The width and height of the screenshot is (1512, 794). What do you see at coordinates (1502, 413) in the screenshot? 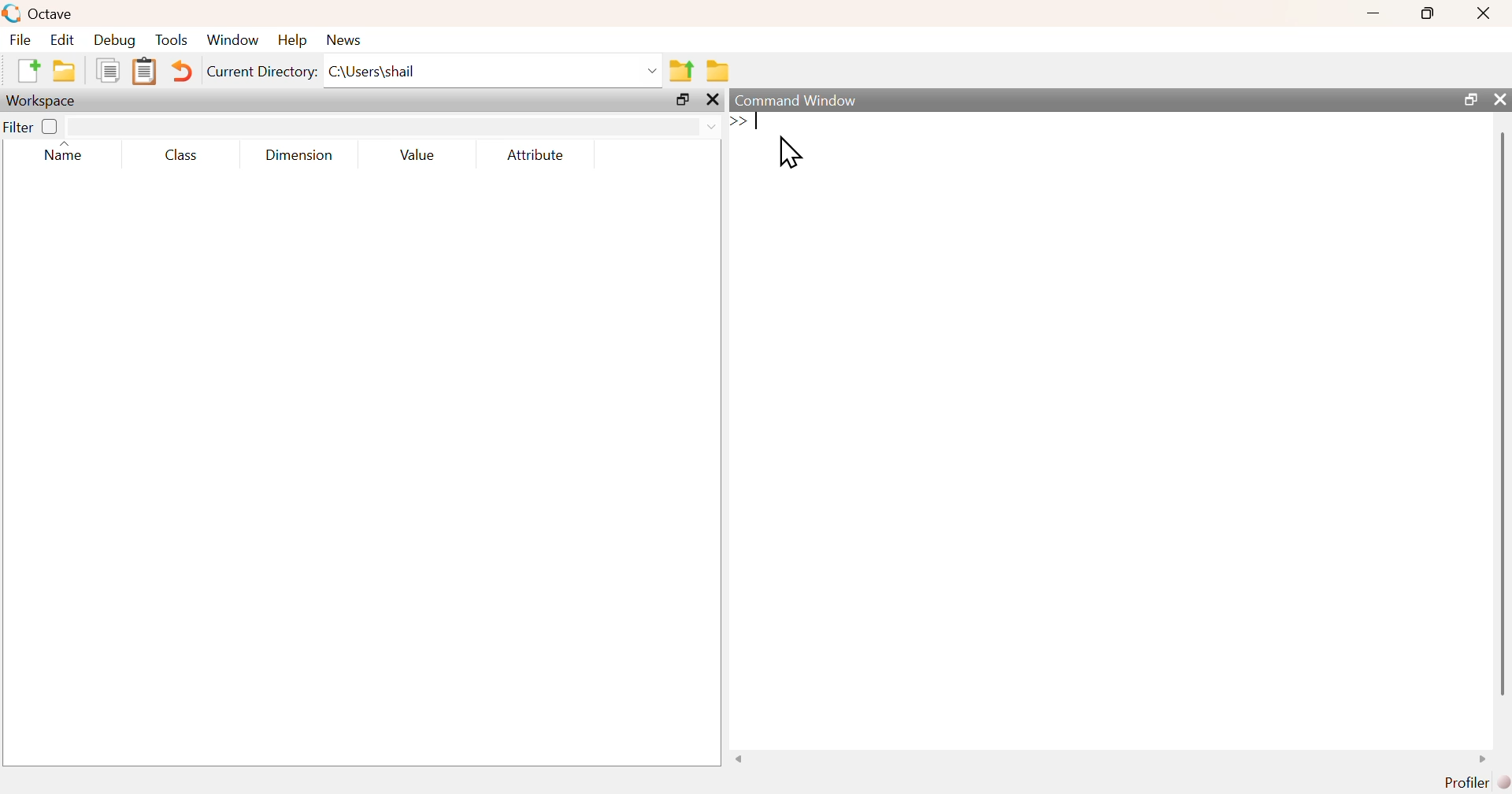
I see `scroll bar` at bounding box center [1502, 413].